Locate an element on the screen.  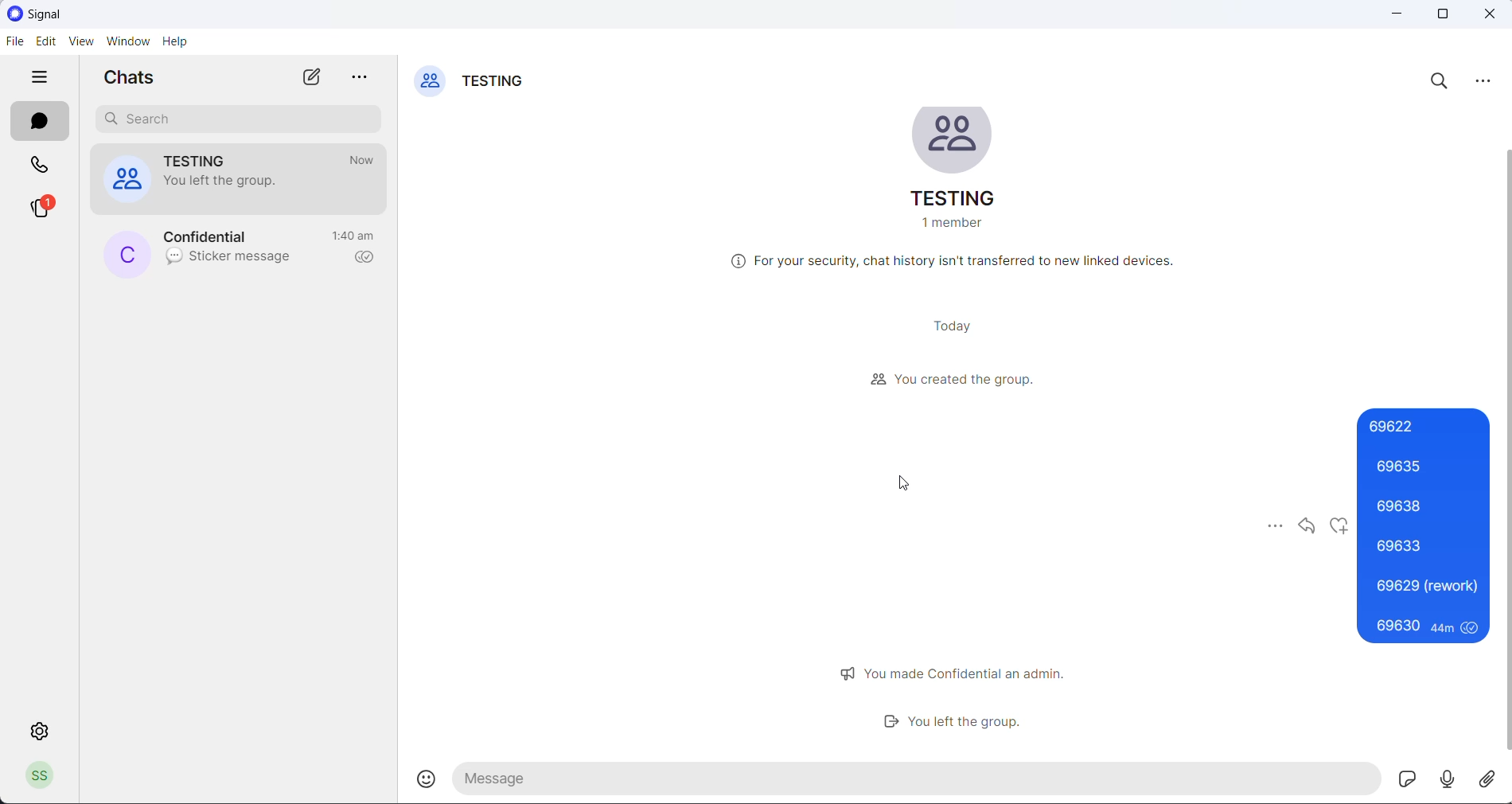
new chat is located at coordinates (310, 77).